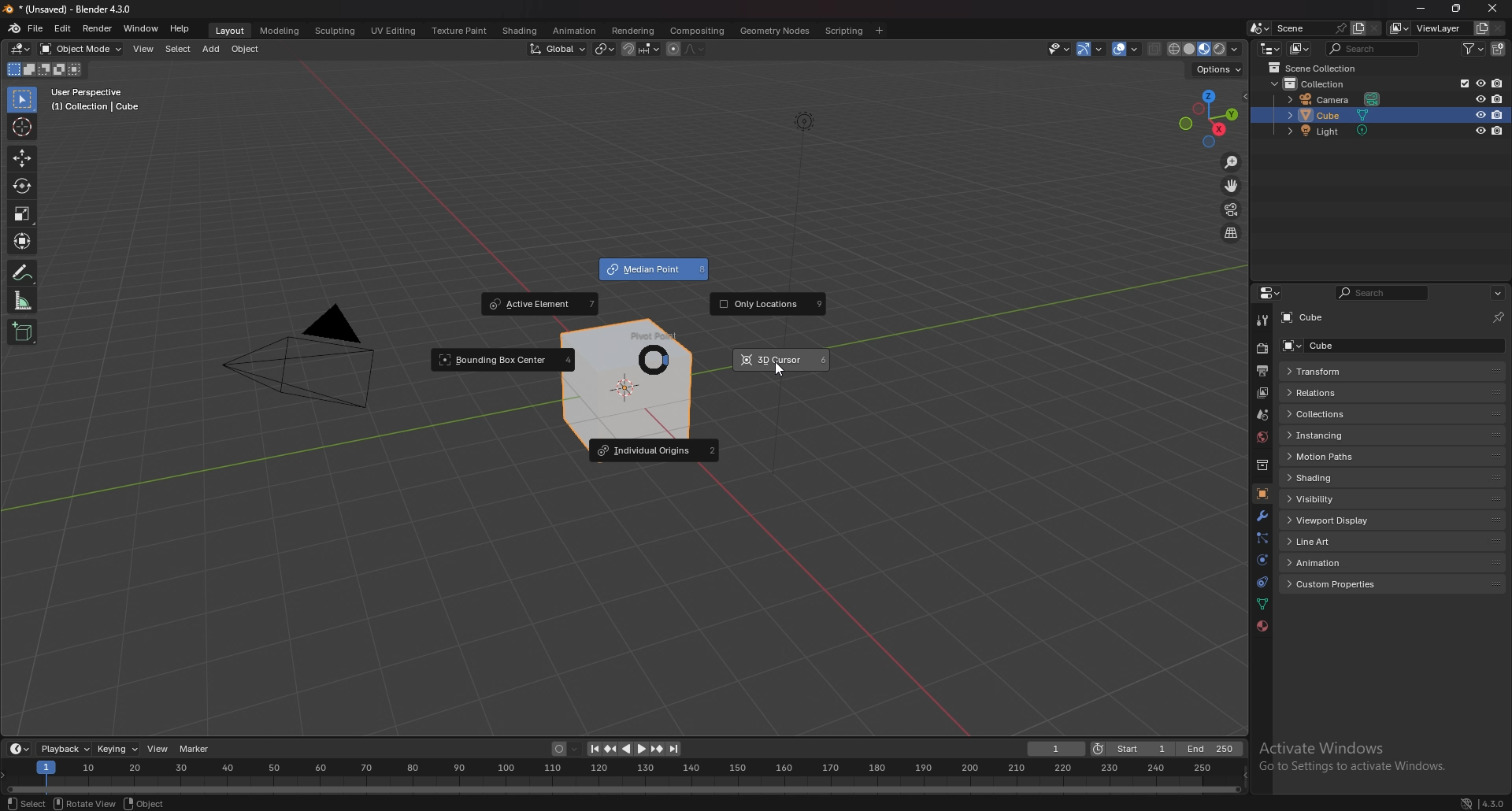 The image size is (1512, 811). I want to click on current frame, so click(1057, 748).